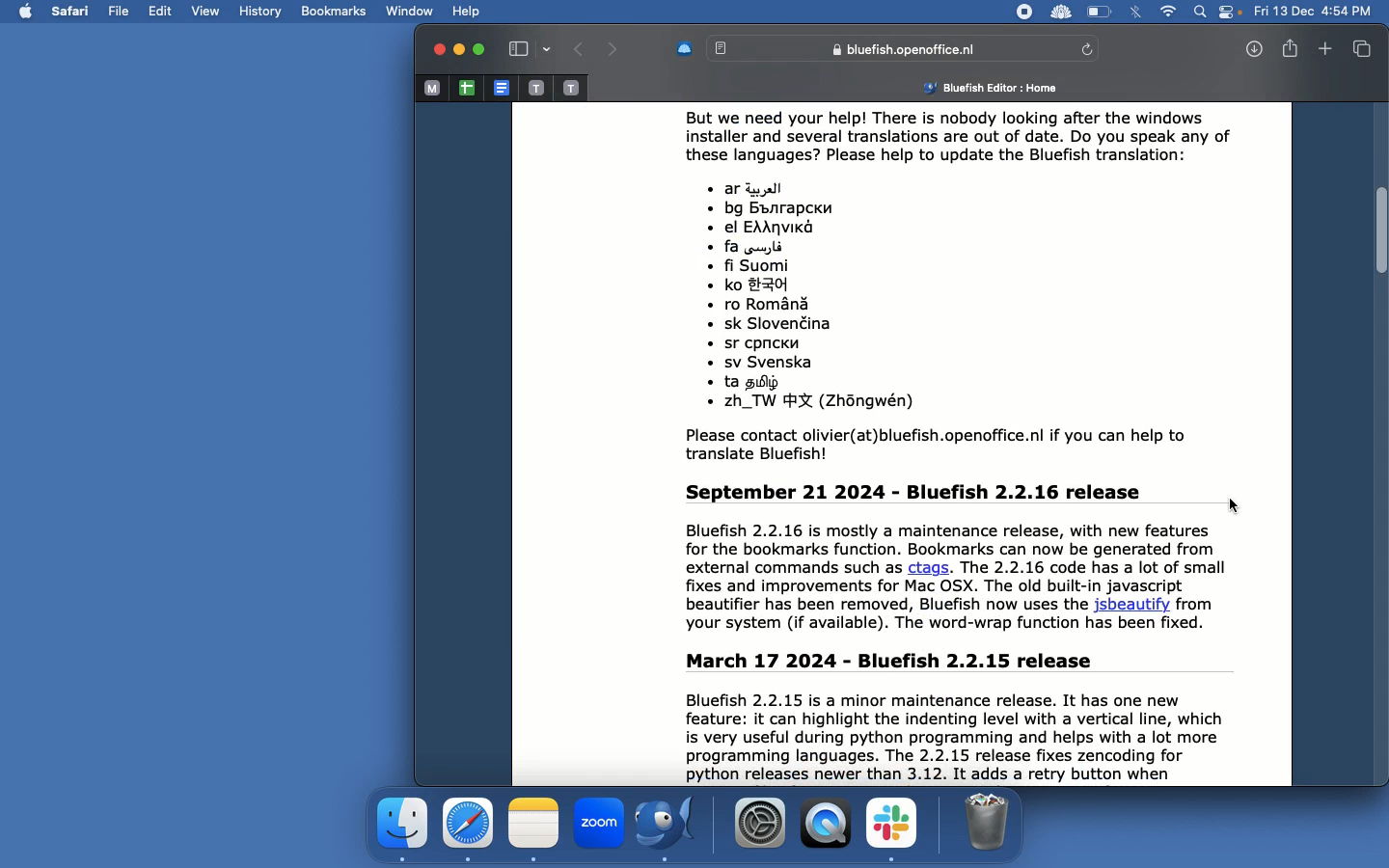 The image size is (1389, 868). Describe the element at coordinates (823, 825) in the screenshot. I see `Player` at that location.